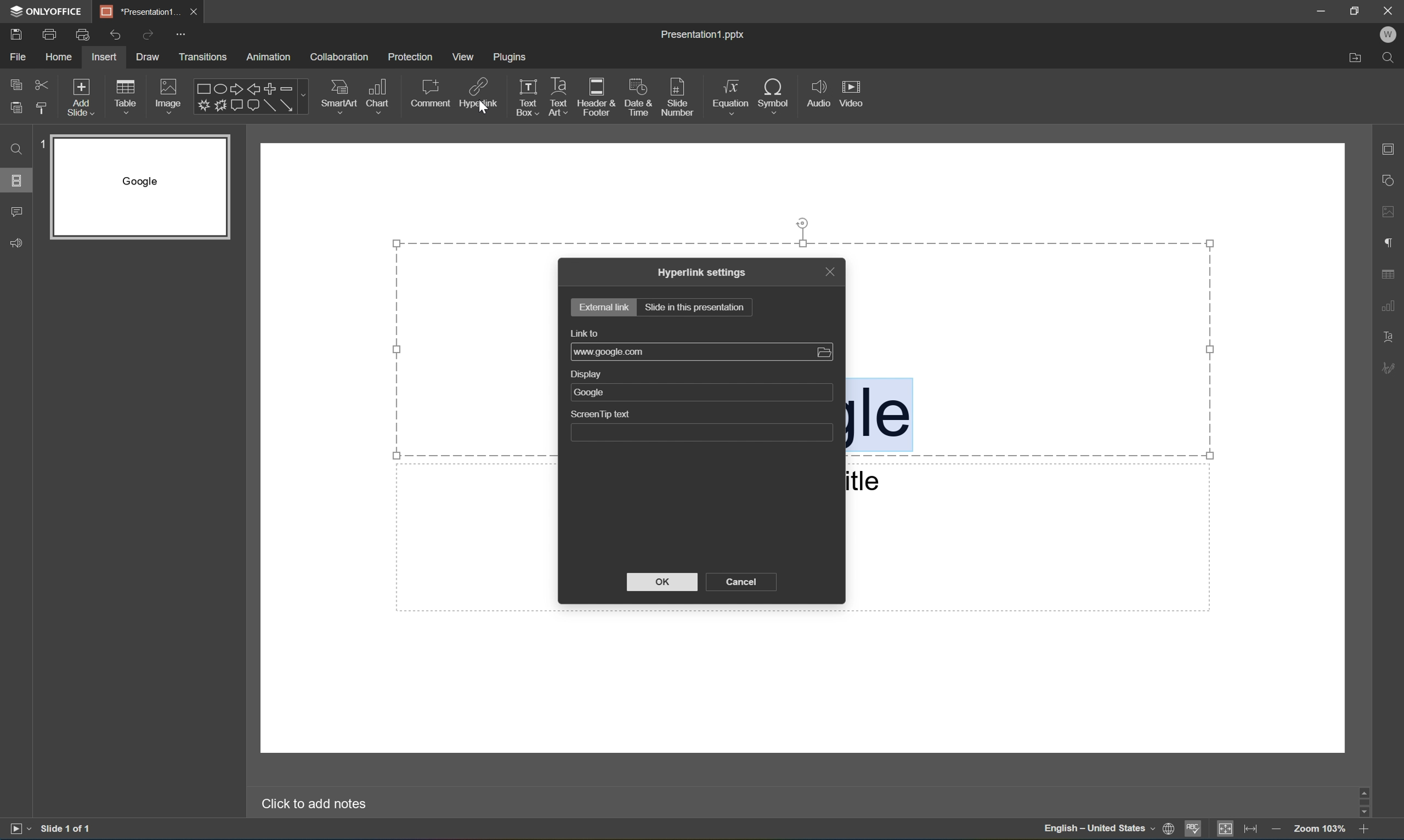  Describe the element at coordinates (429, 95) in the screenshot. I see `Comment` at that location.